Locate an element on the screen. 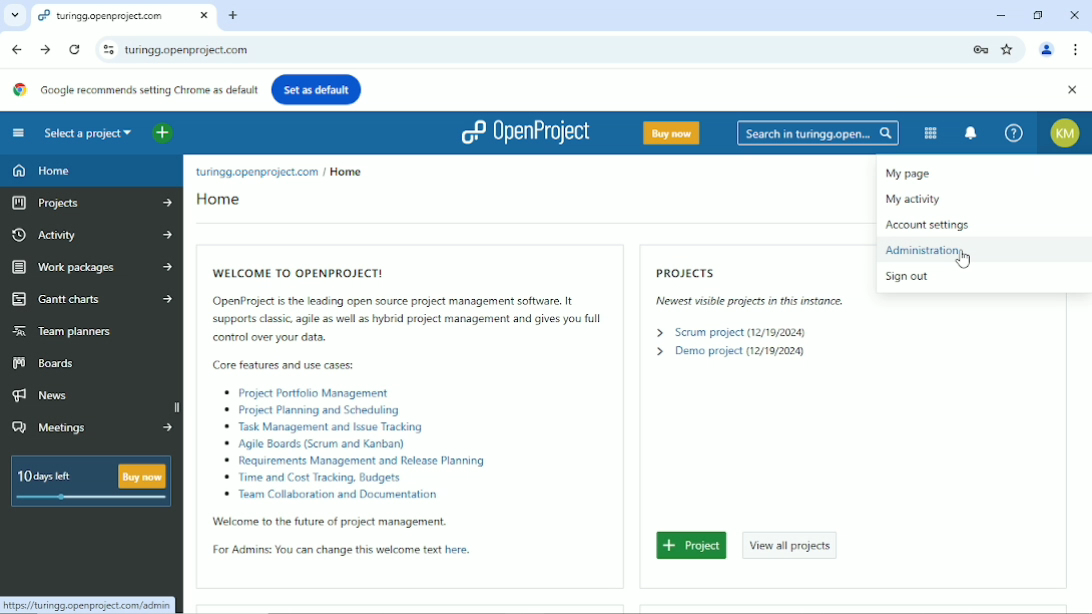 This screenshot has width=1092, height=614. ‘® Propect Planning and Scheduling is located at coordinates (316, 409).